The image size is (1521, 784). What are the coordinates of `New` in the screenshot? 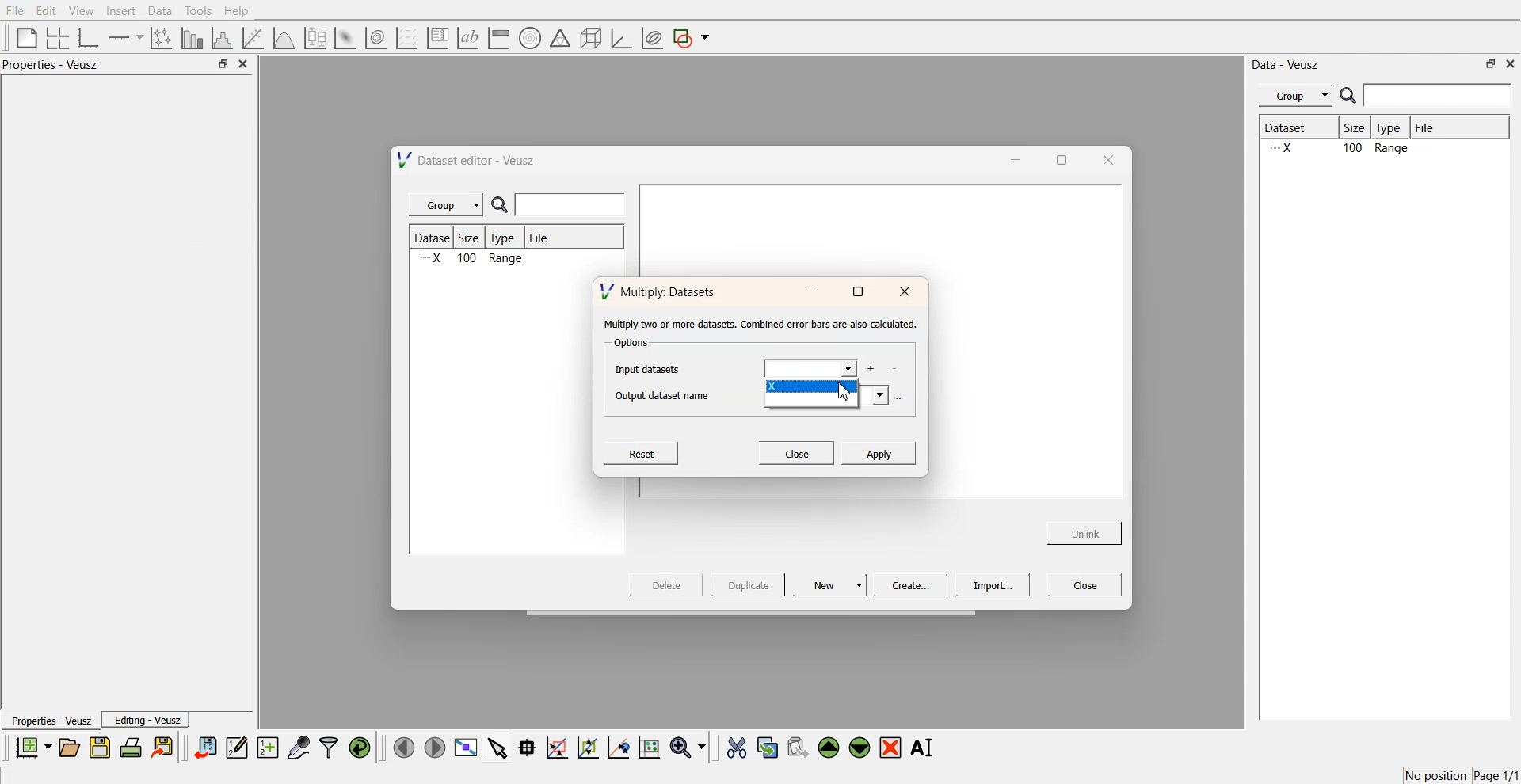 It's located at (832, 584).